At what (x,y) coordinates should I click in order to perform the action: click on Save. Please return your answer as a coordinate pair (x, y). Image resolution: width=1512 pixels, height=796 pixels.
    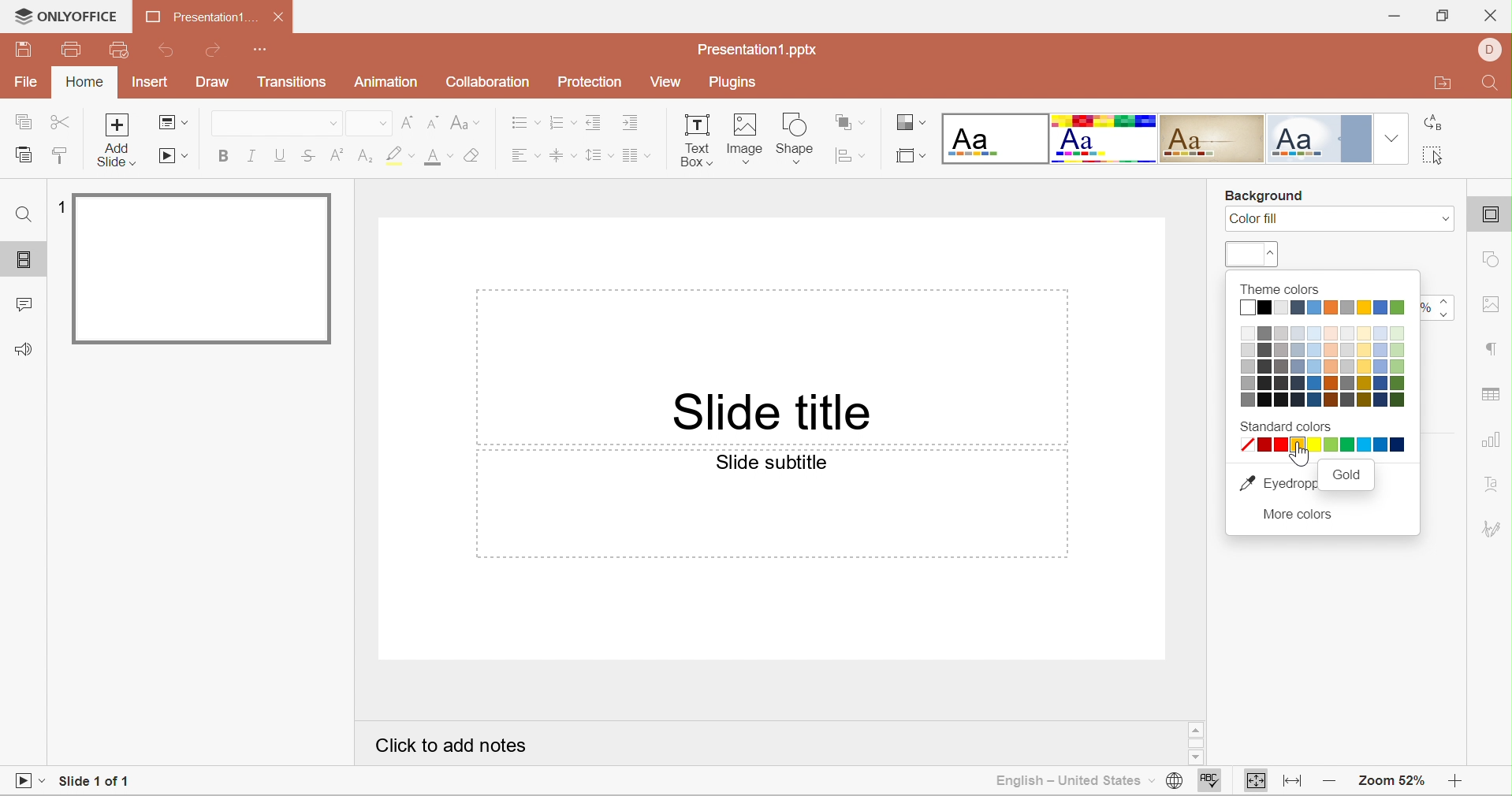
    Looking at the image, I should click on (24, 48).